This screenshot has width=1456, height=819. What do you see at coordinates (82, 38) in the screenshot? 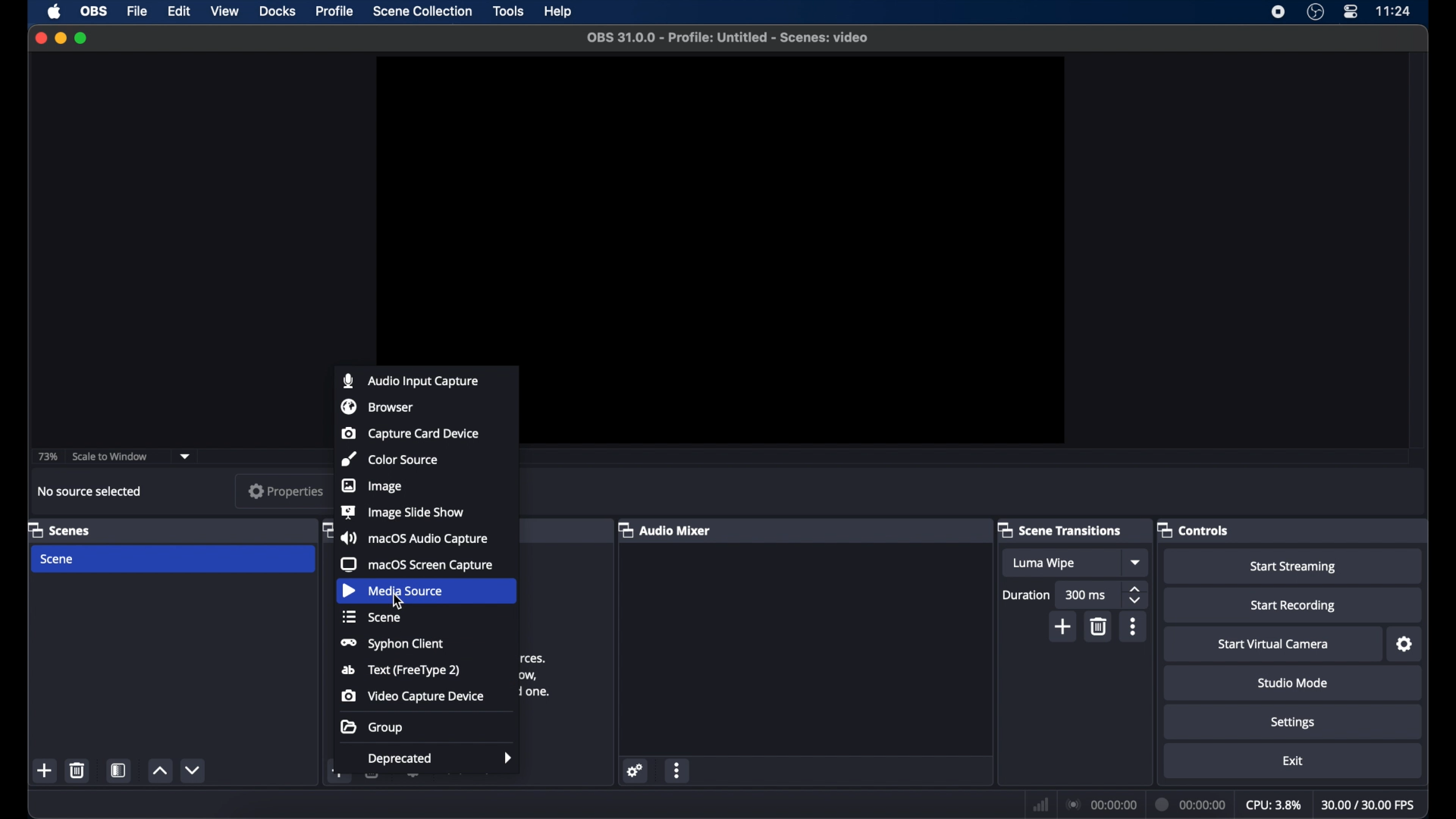
I see `maximize` at bounding box center [82, 38].